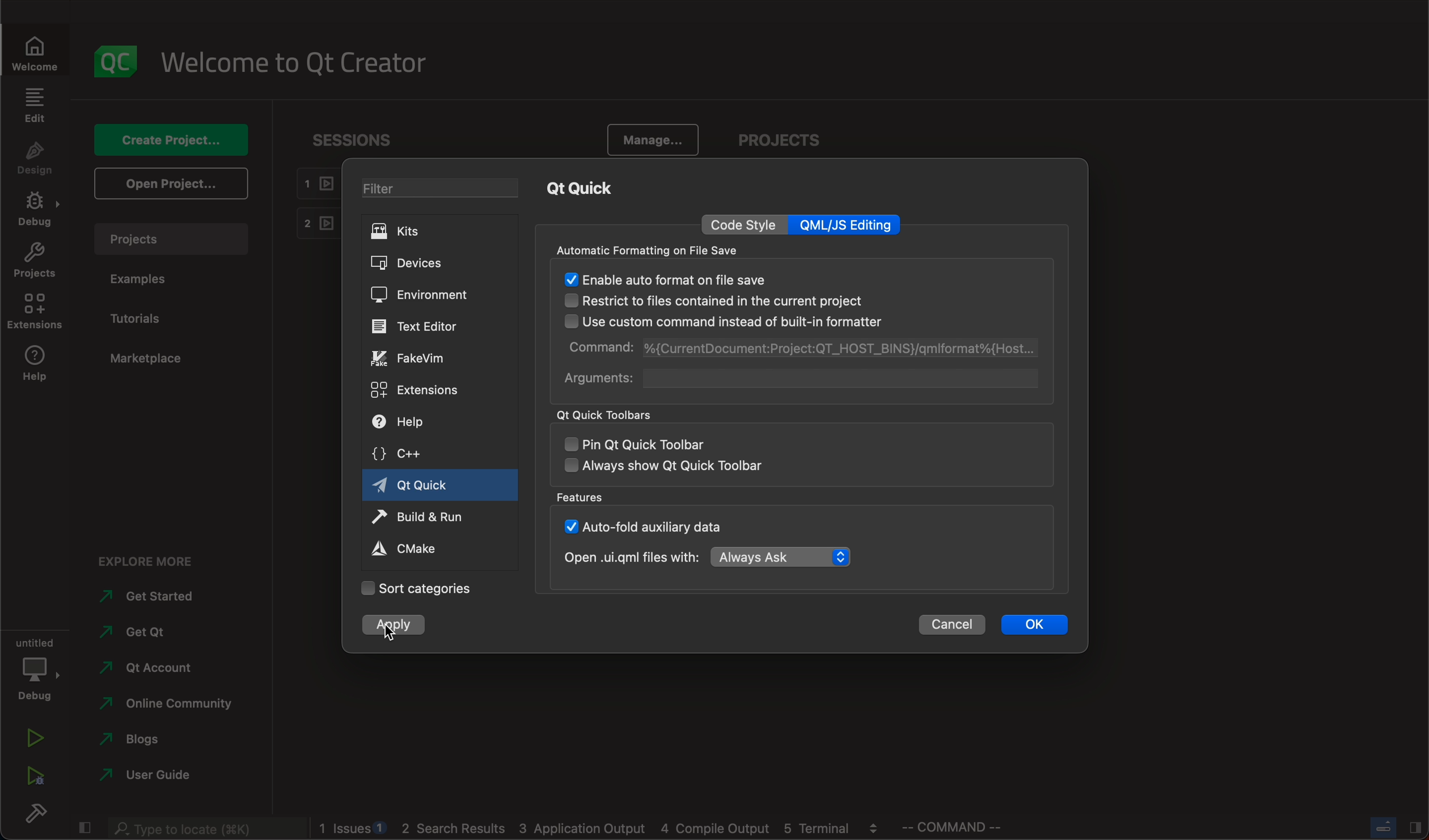  What do you see at coordinates (955, 625) in the screenshot?
I see `cancel` at bounding box center [955, 625].